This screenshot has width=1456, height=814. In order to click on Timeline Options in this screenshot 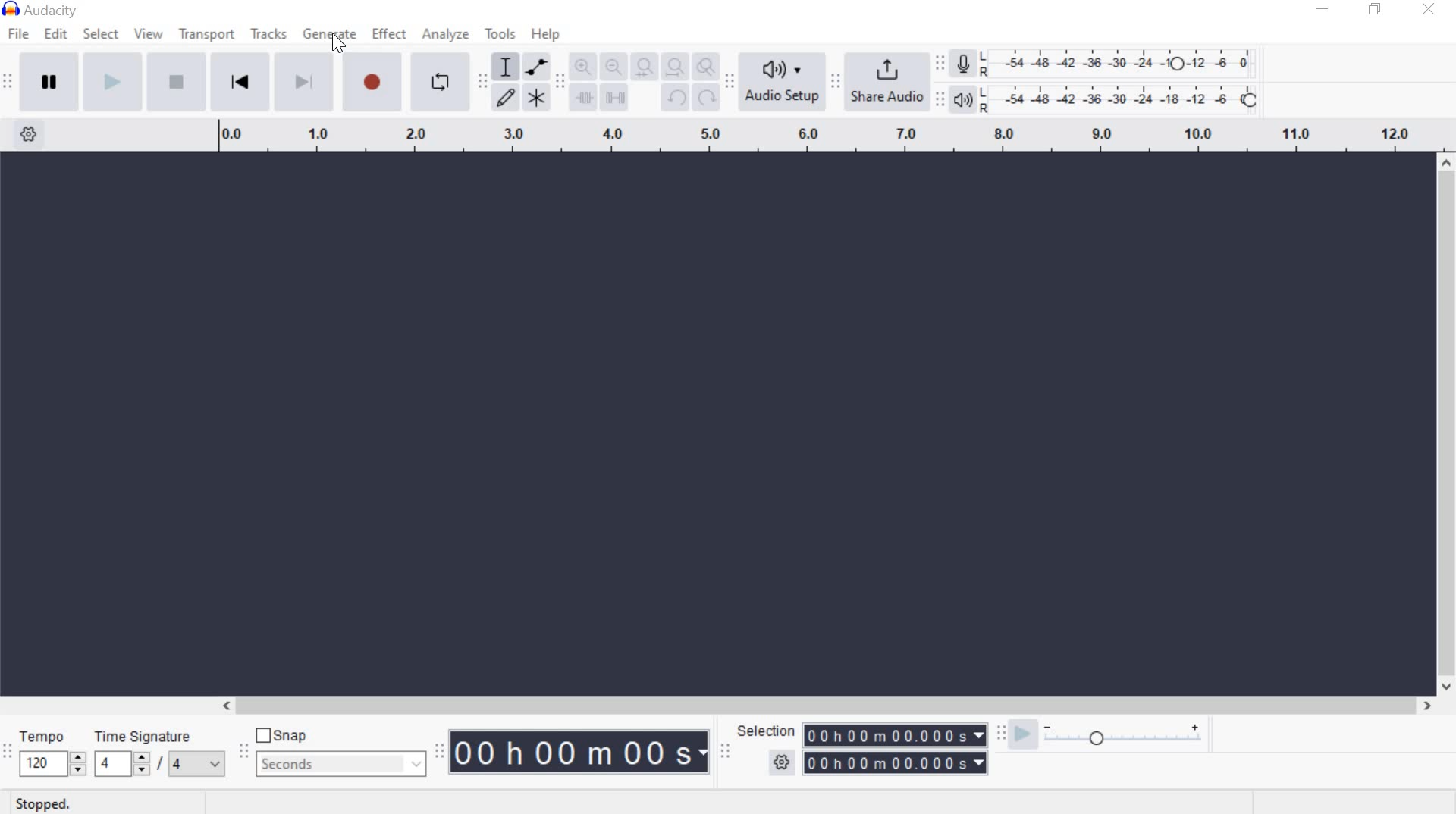, I will do `click(33, 136)`.